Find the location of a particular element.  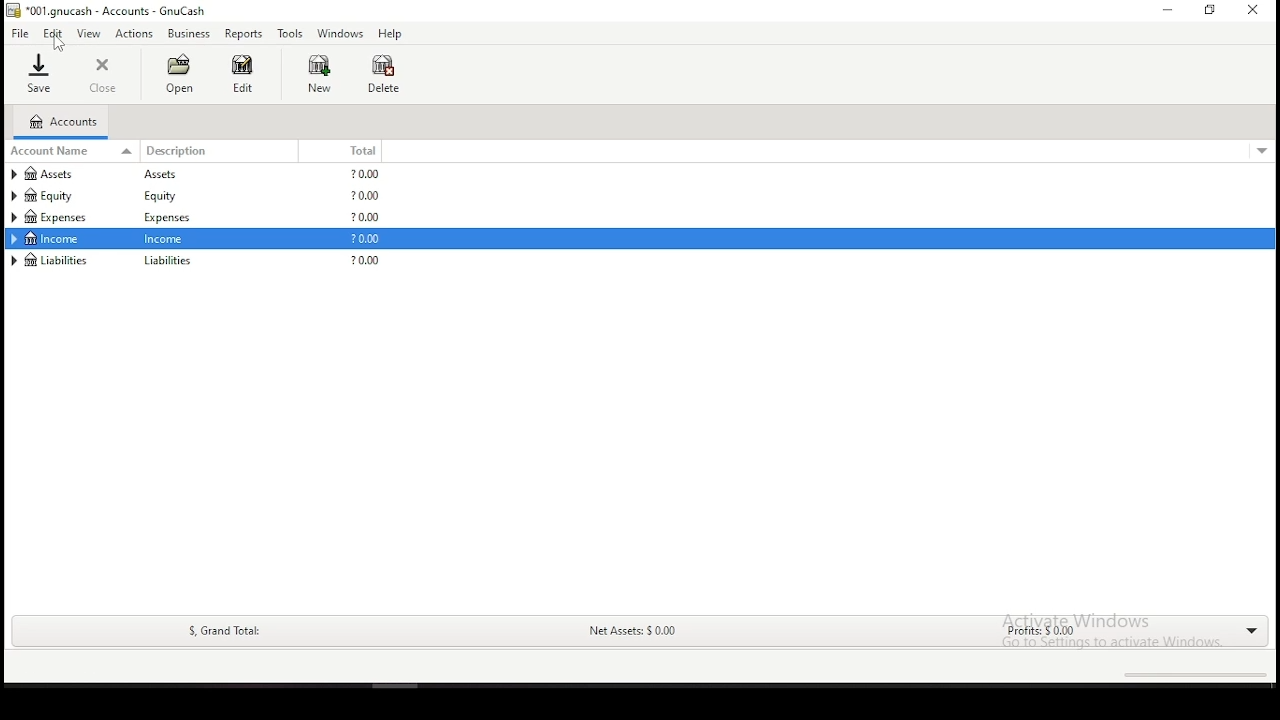

edits is located at coordinates (54, 33).